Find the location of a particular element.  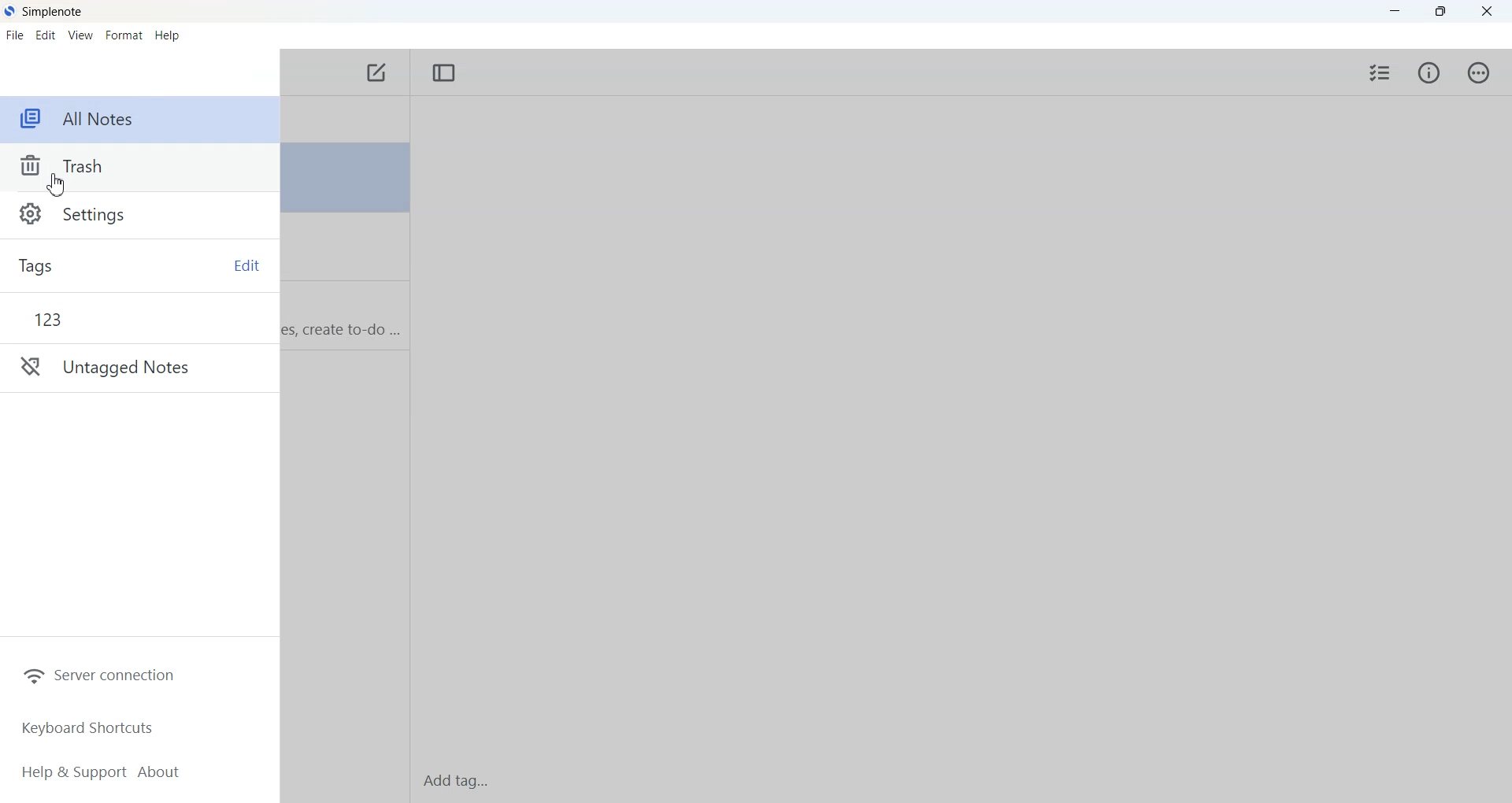

Settings is located at coordinates (140, 215).